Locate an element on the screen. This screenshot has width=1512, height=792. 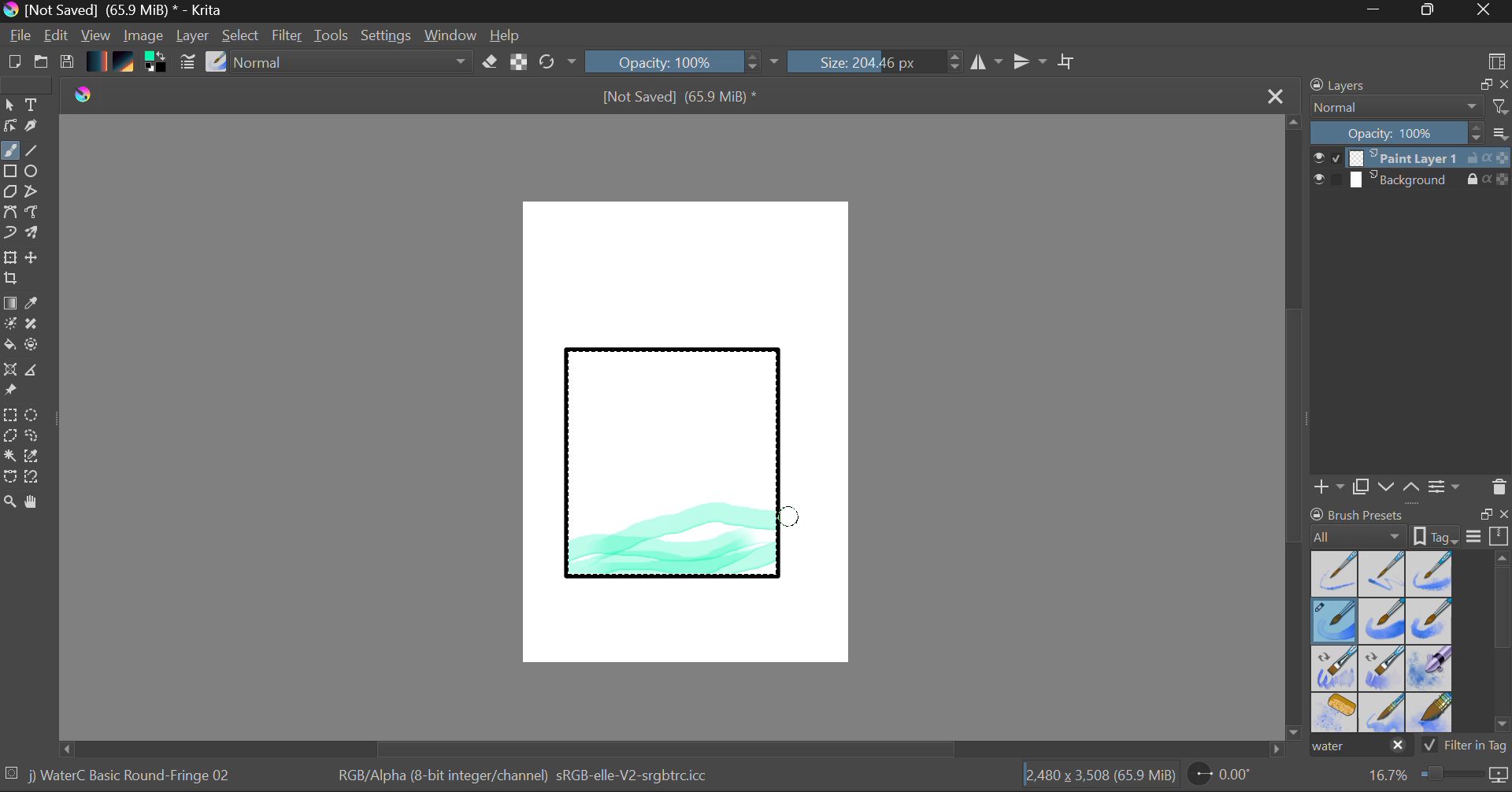
Polygon is located at coordinates (9, 192).